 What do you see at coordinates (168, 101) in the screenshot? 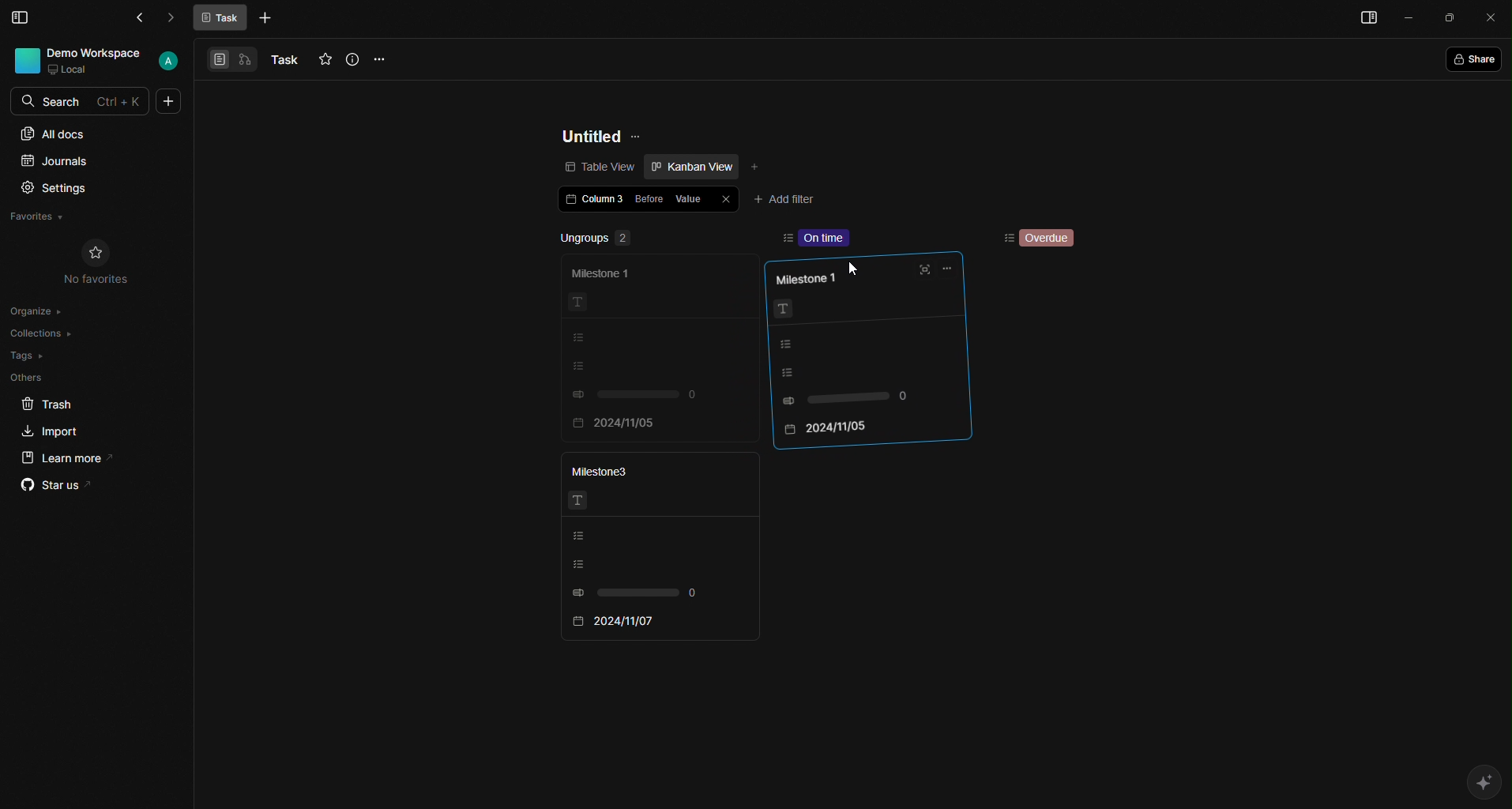
I see `More` at bounding box center [168, 101].